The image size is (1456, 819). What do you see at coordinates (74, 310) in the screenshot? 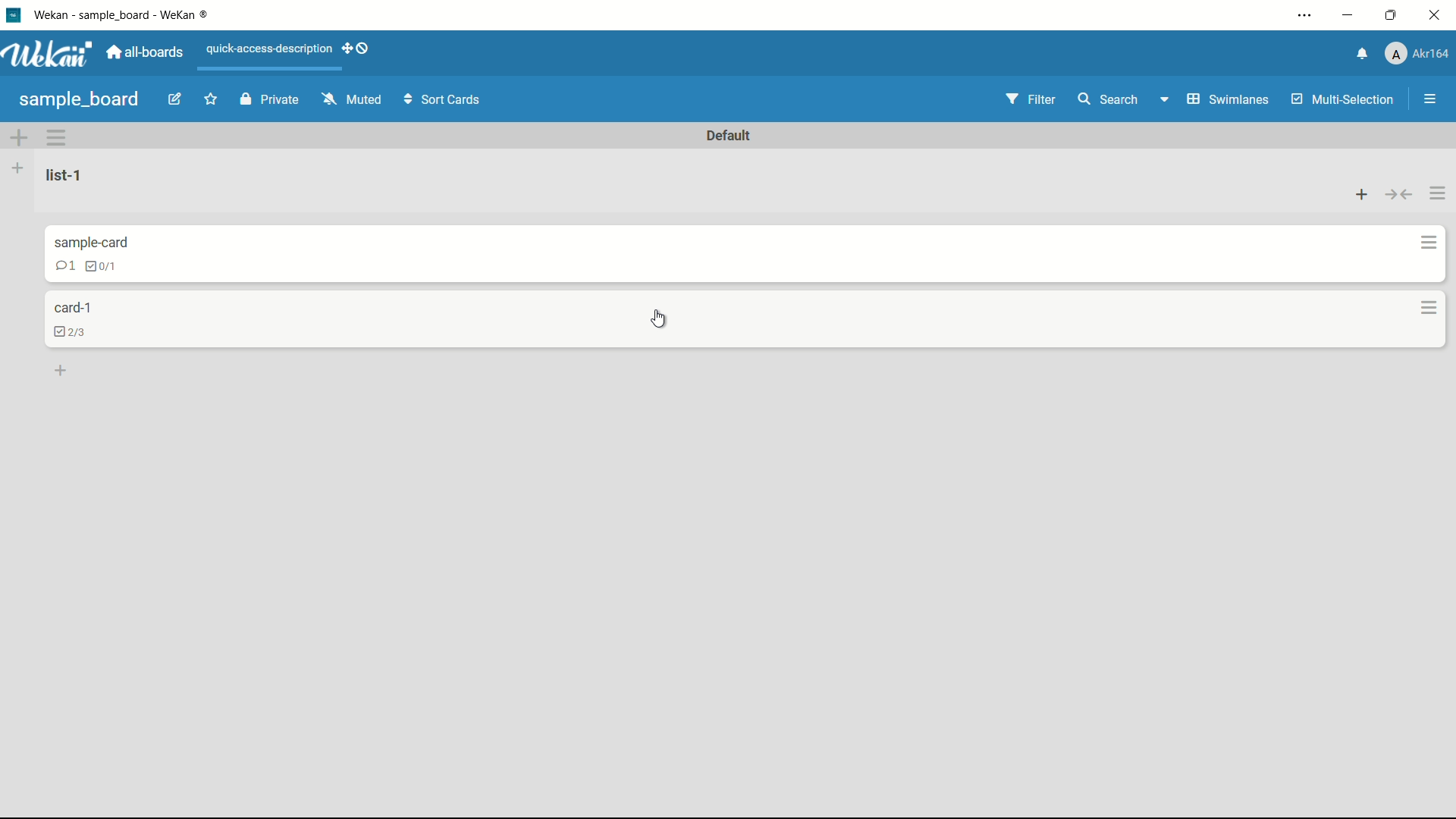
I see `card name` at bounding box center [74, 310].